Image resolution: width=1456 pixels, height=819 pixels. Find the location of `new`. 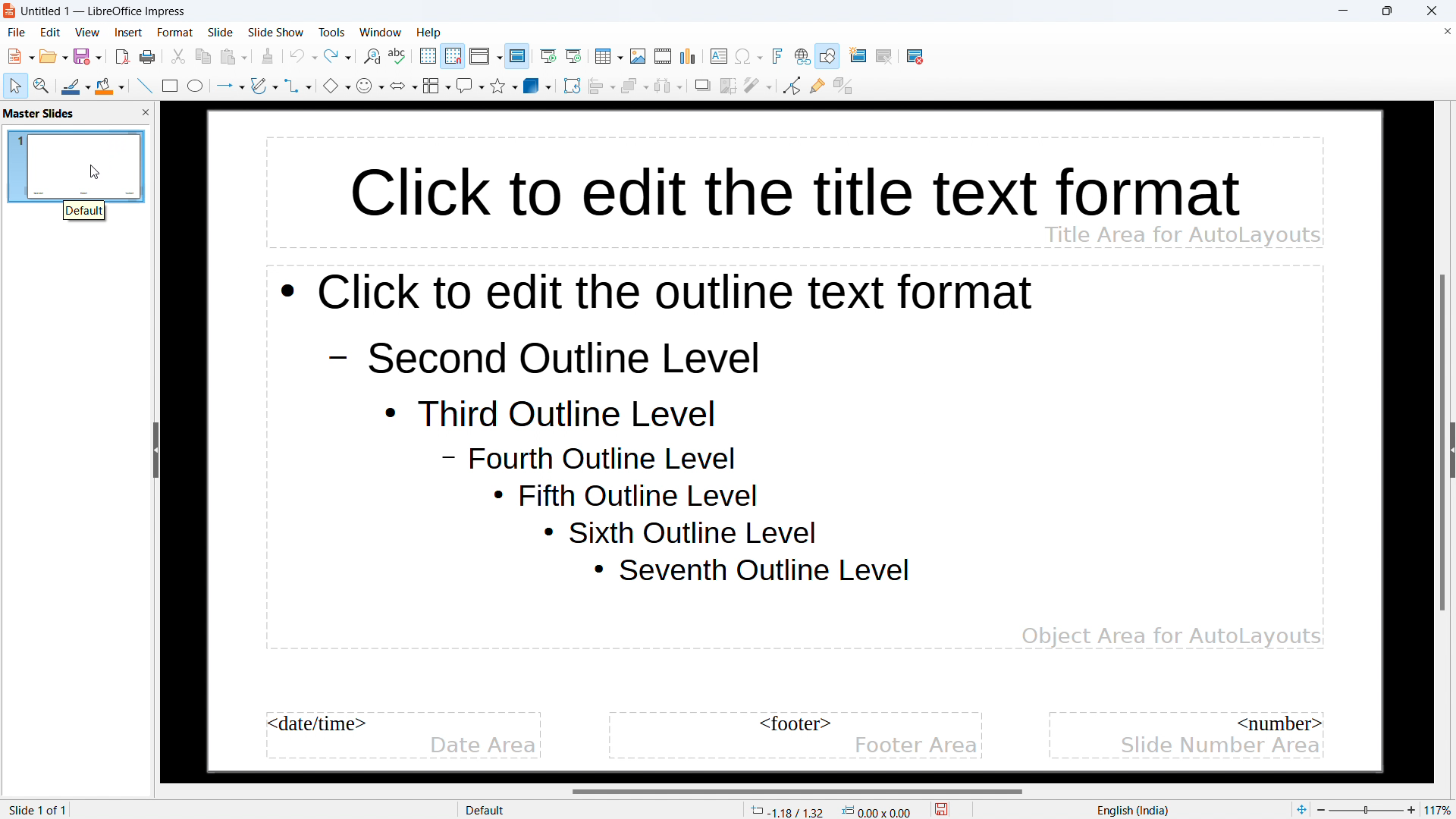

new is located at coordinates (21, 56).